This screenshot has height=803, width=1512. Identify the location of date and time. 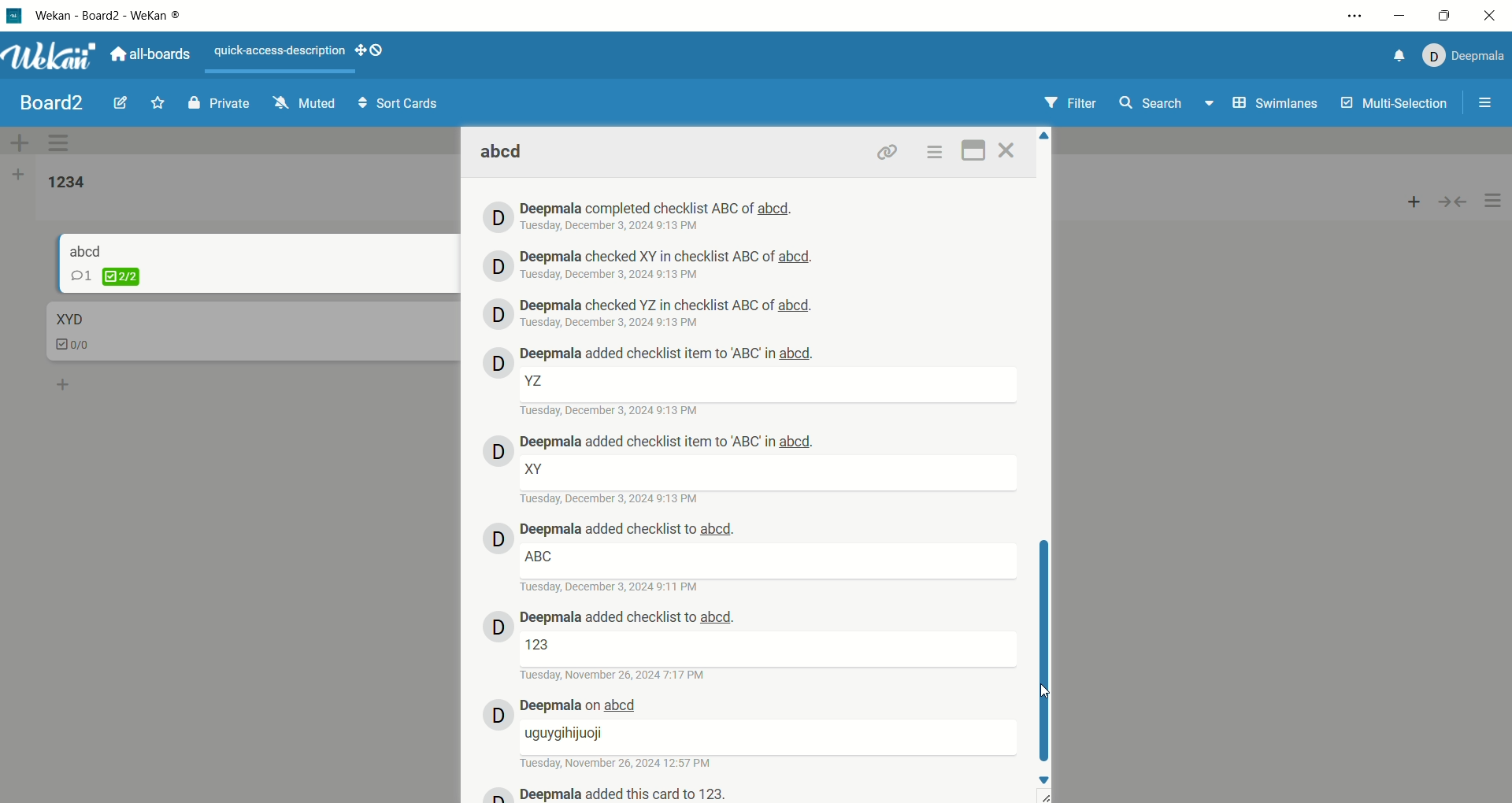
(616, 675).